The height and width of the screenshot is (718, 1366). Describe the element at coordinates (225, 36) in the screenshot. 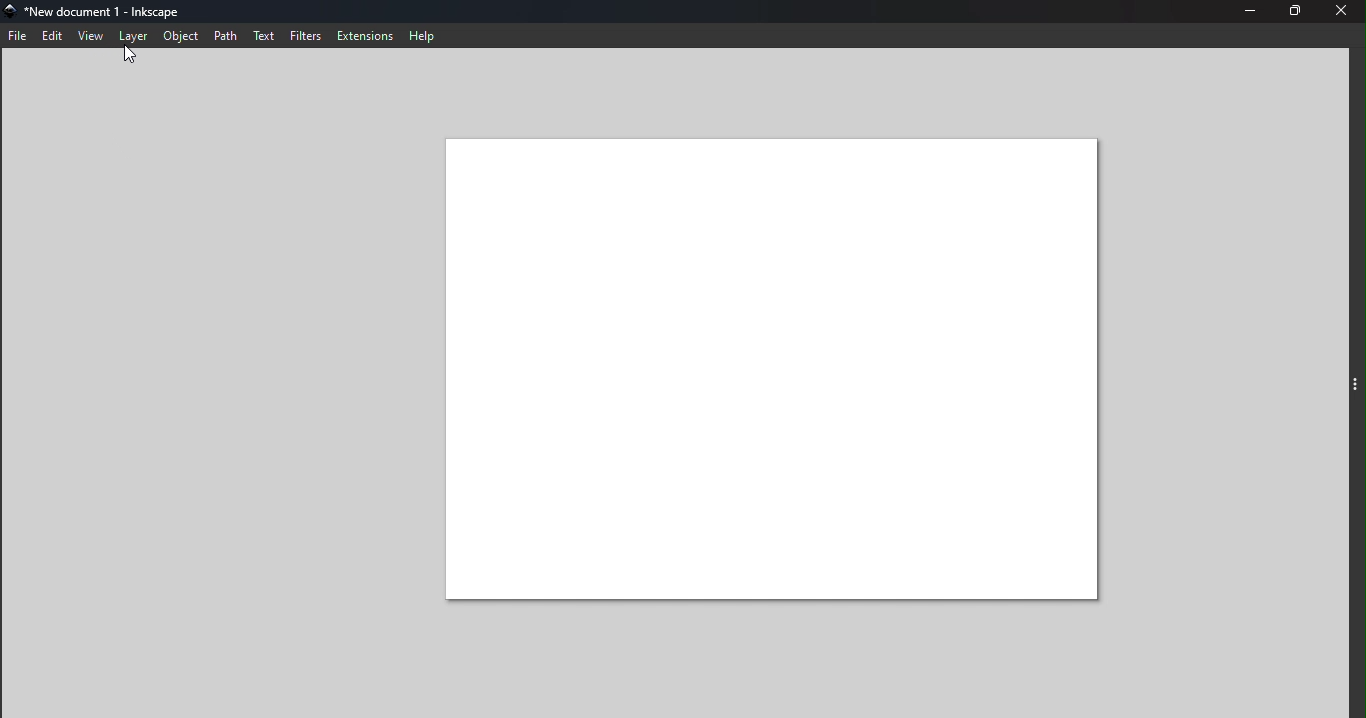

I see `Path` at that location.